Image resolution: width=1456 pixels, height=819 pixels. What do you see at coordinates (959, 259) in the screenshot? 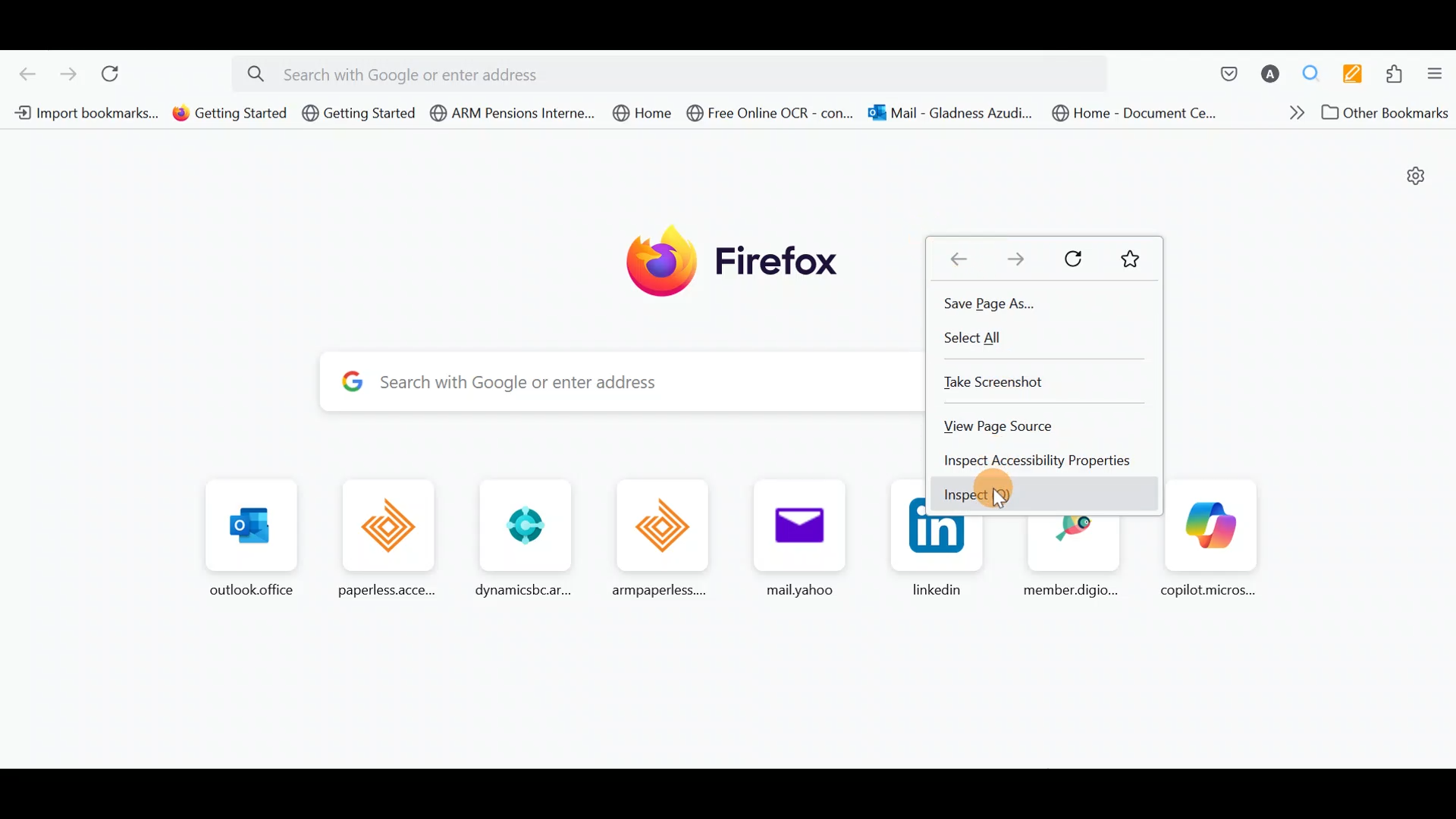
I see `Go back one page` at bounding box center [959, 259].